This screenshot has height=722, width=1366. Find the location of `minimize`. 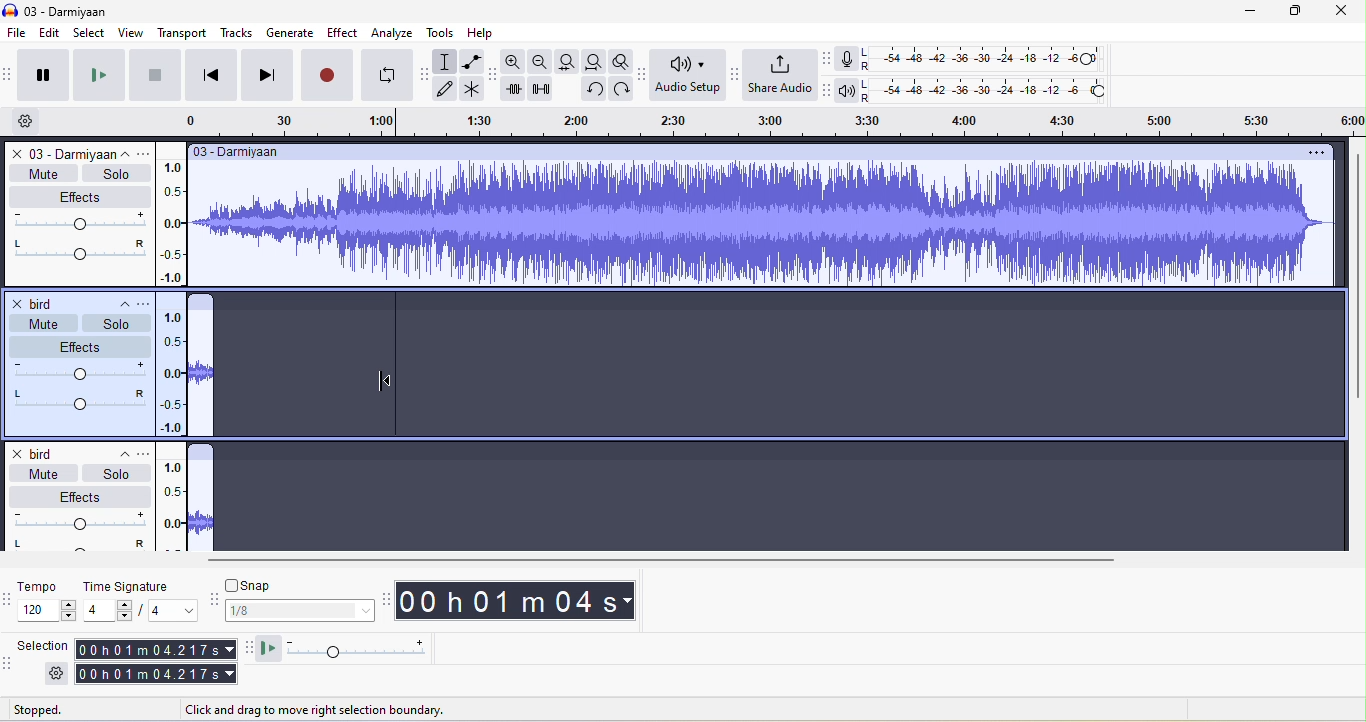

minimize is located at coordinates (1238, 11).